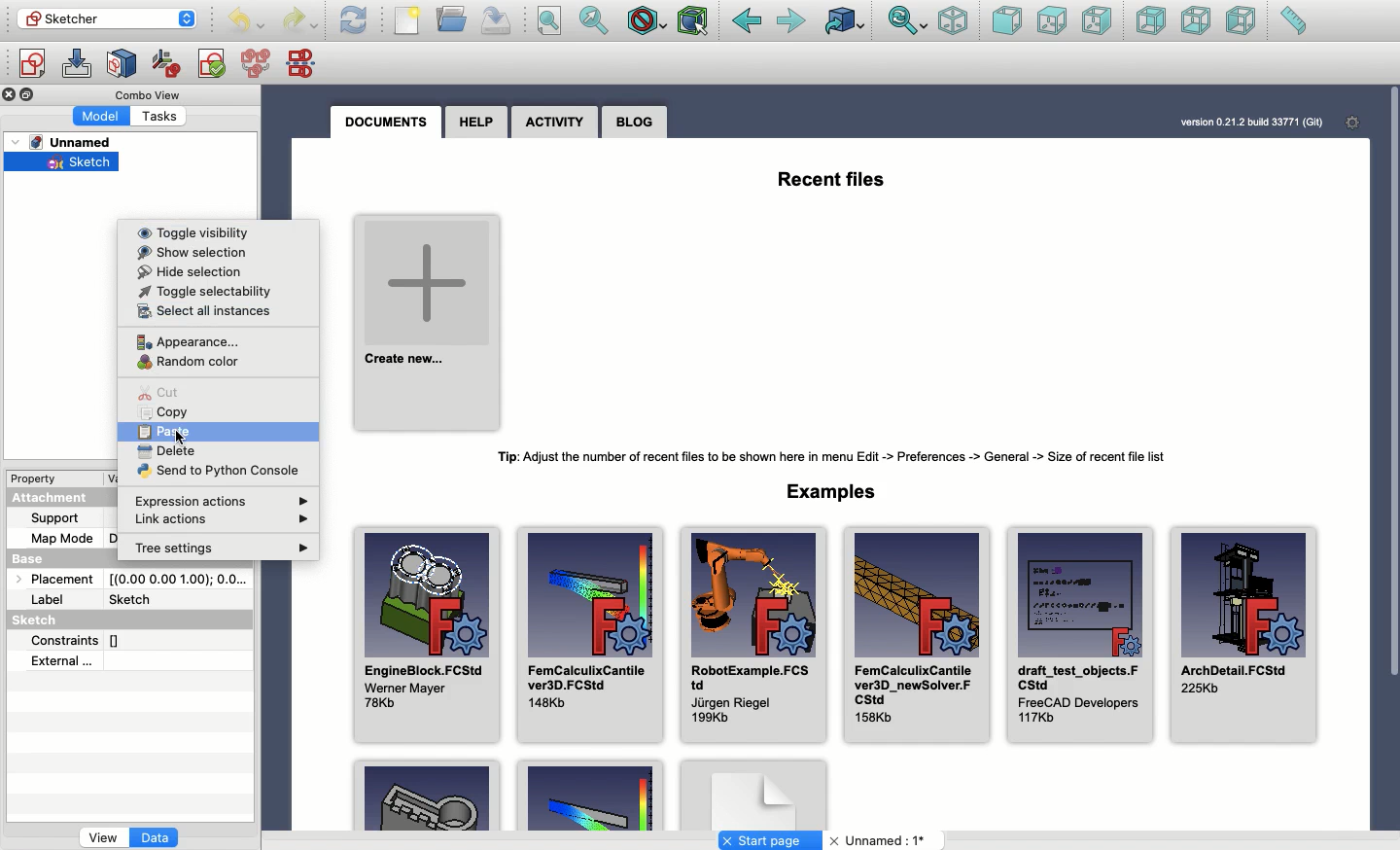 Image resolution: width=1400 pixels, height=850 pixels. What do you see at coordinates (841, 457) in the screenshot?
I see `Tip: Adjust the number of recent files to be shown here in menu Edit -> Preferences -> General -> Size of recent file list` at bounding box center [841, 457].